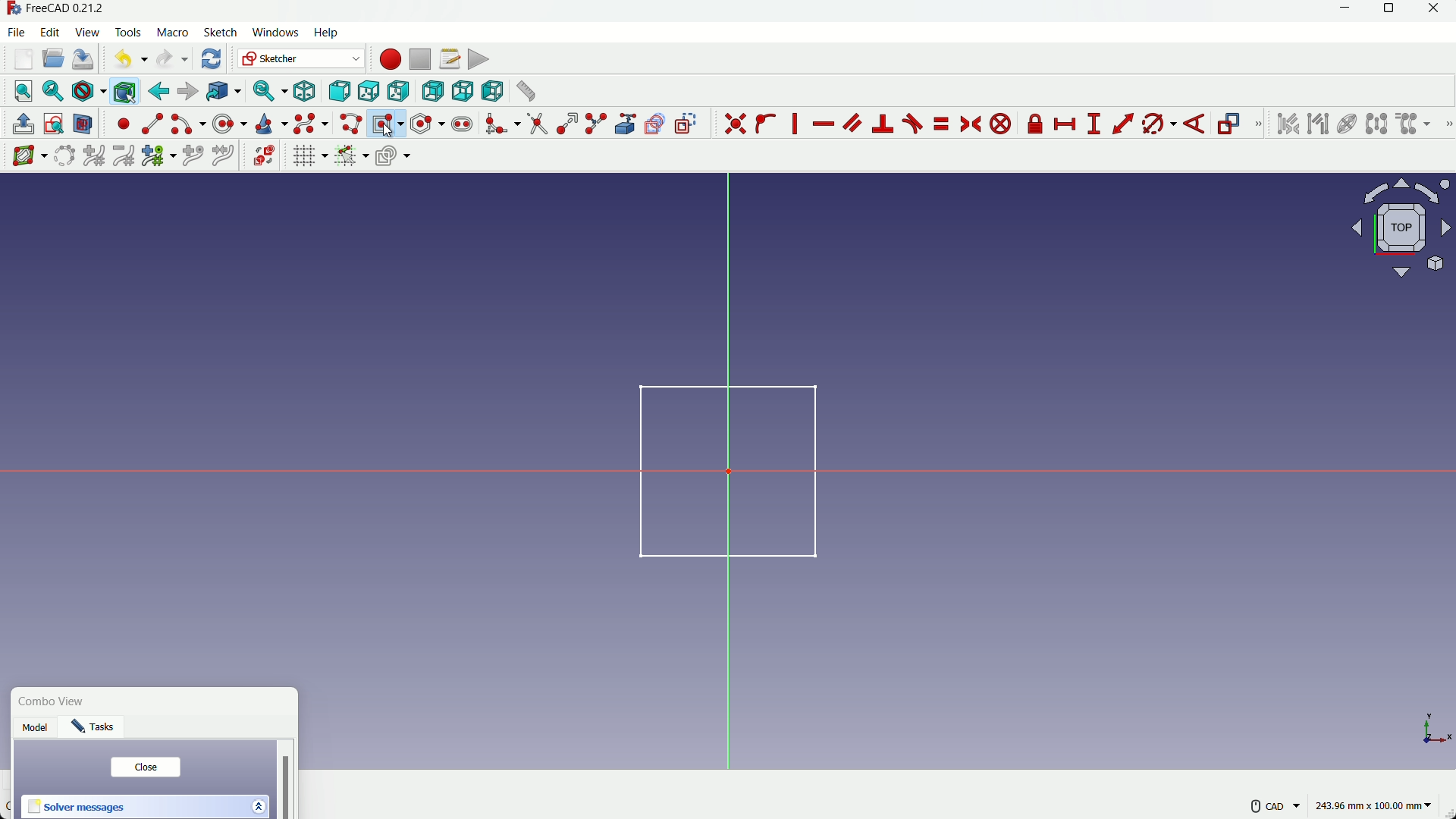 This screenshot has width=1456, height=819. I want to click on constraint lock, so click(1036, 127).